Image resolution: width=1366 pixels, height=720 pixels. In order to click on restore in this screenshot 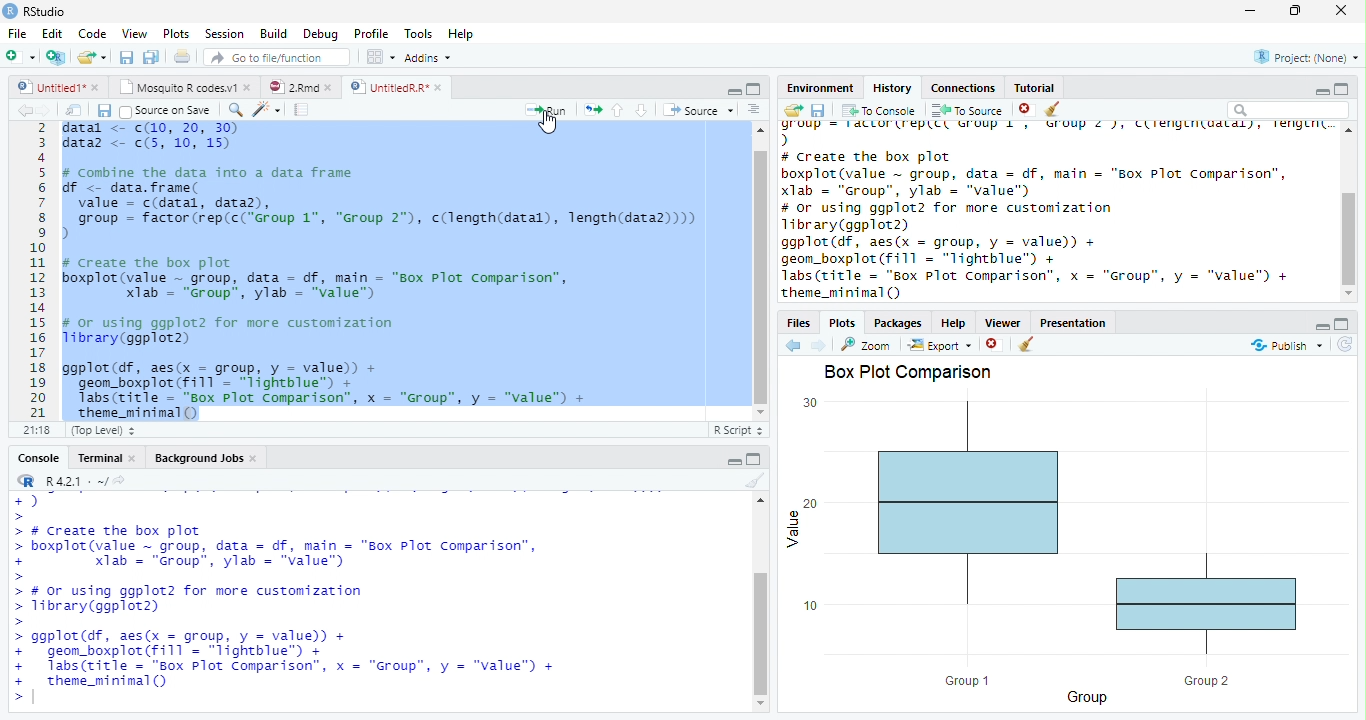, I will do `click(1295, 11)`.